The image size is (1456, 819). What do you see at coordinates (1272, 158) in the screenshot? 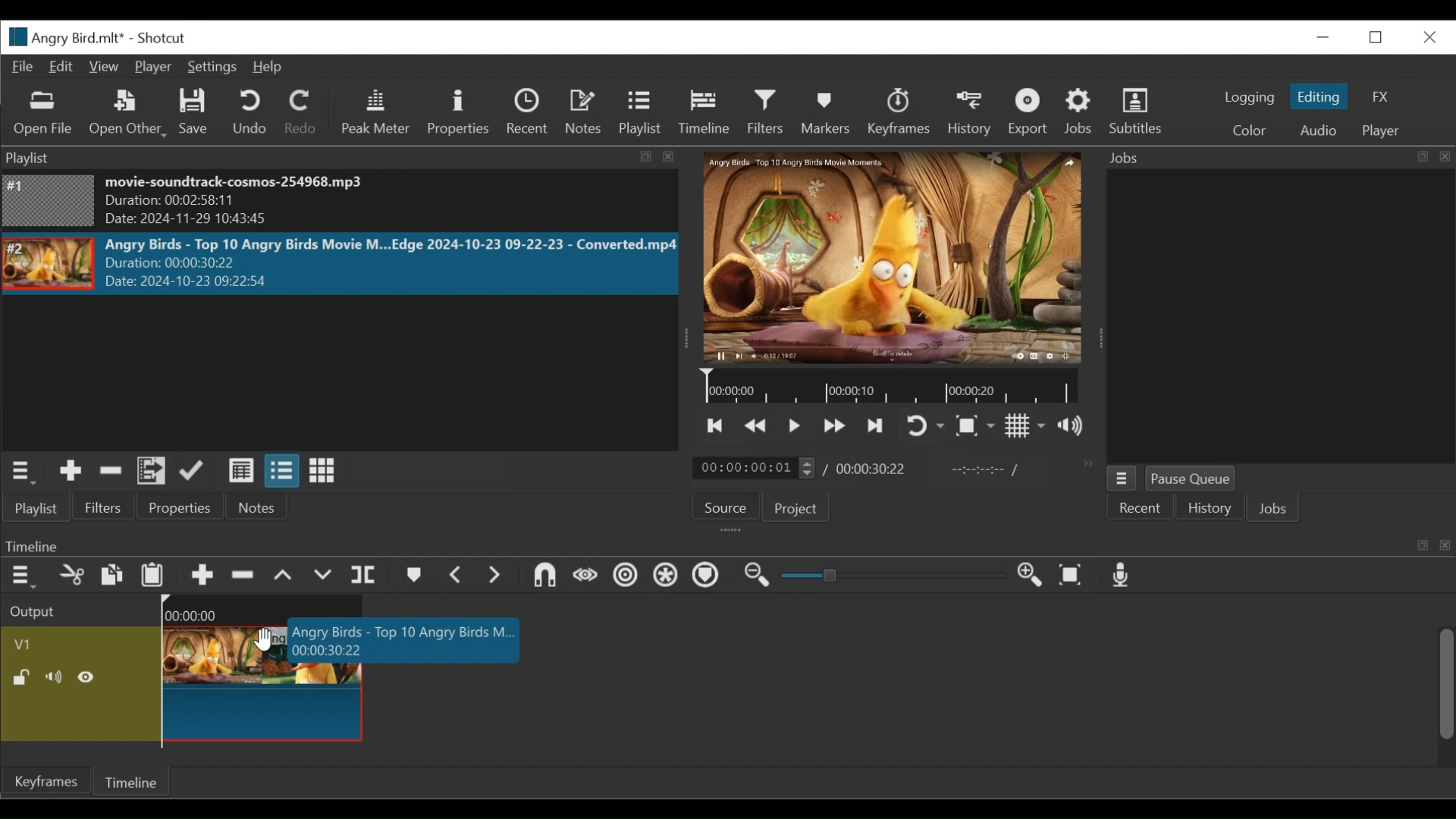
I see `Jobs Panel` at bounding box center [1272, 158].